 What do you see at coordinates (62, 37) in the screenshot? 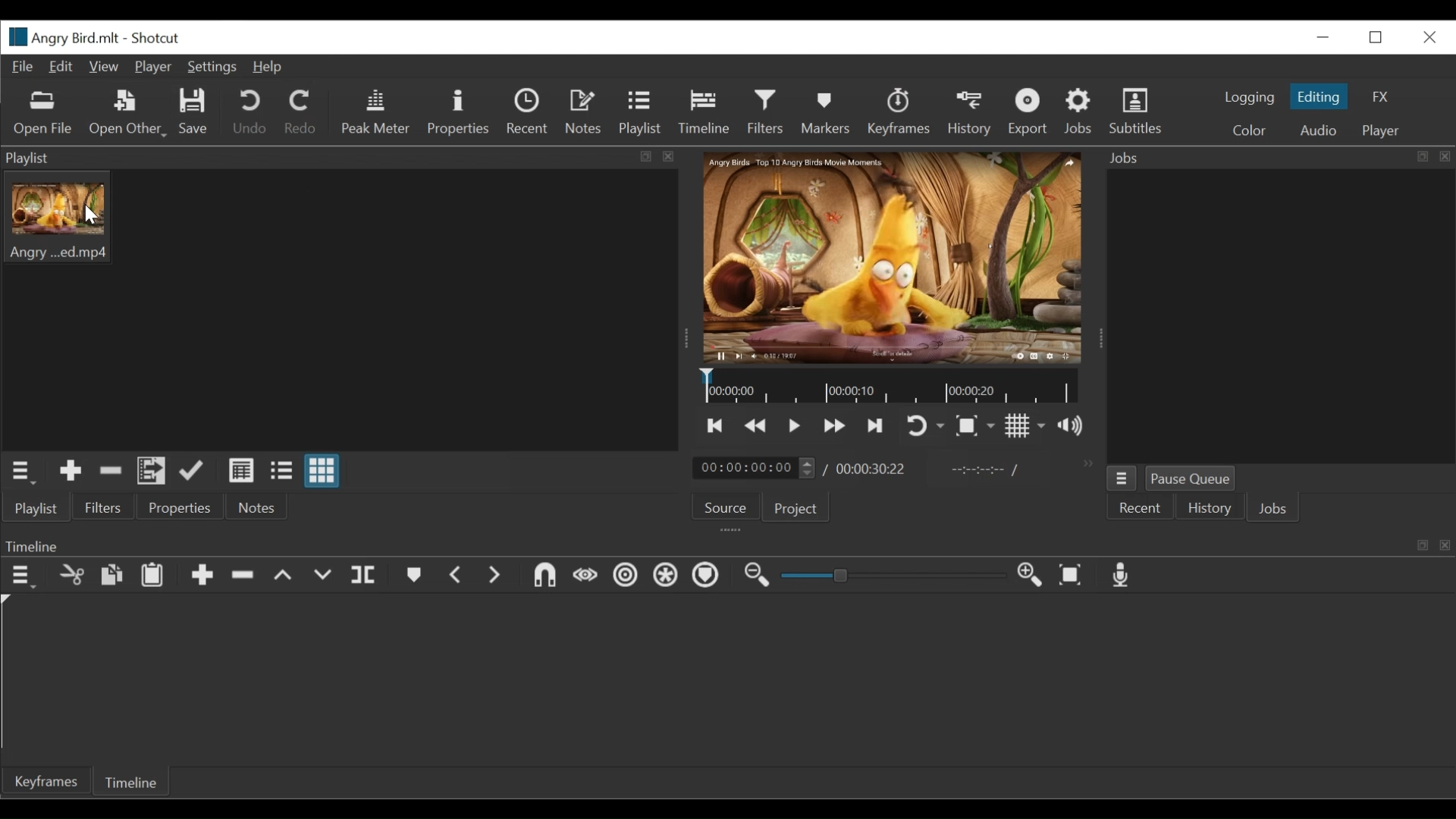
I see `File name` at bounding box center [62, 37].